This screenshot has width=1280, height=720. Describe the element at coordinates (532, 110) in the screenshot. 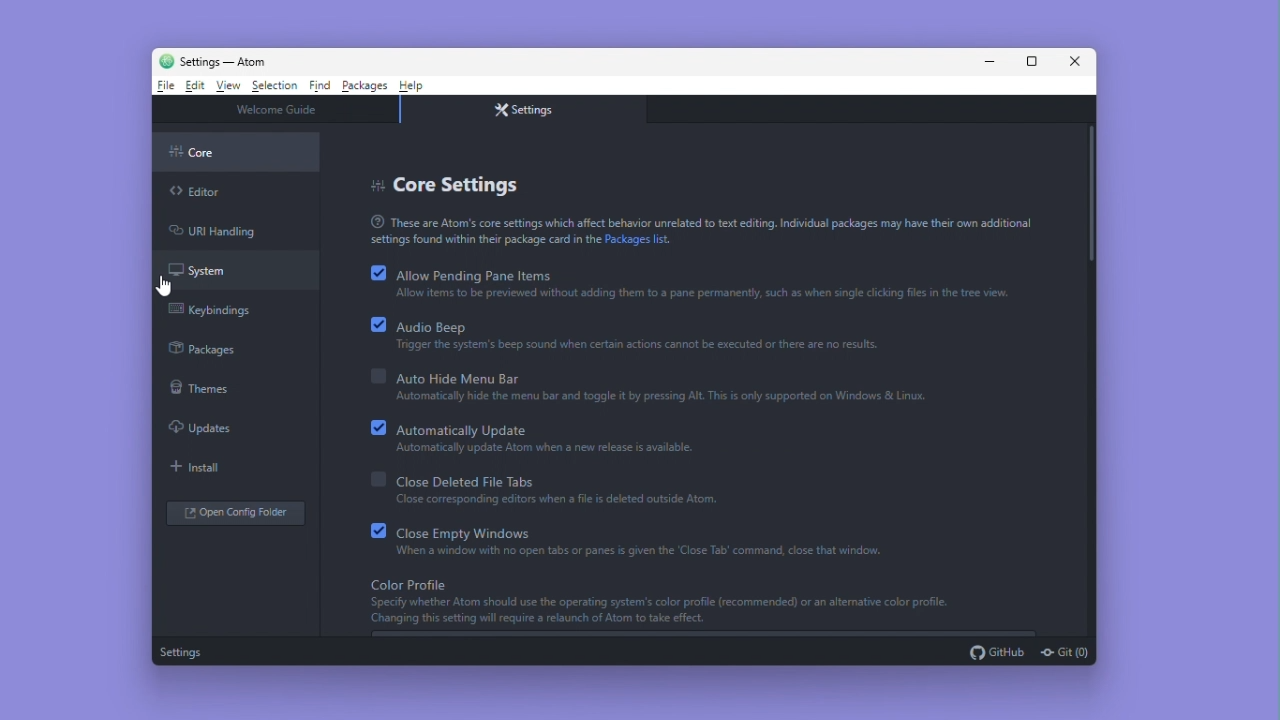

I see `Settings` at that location.